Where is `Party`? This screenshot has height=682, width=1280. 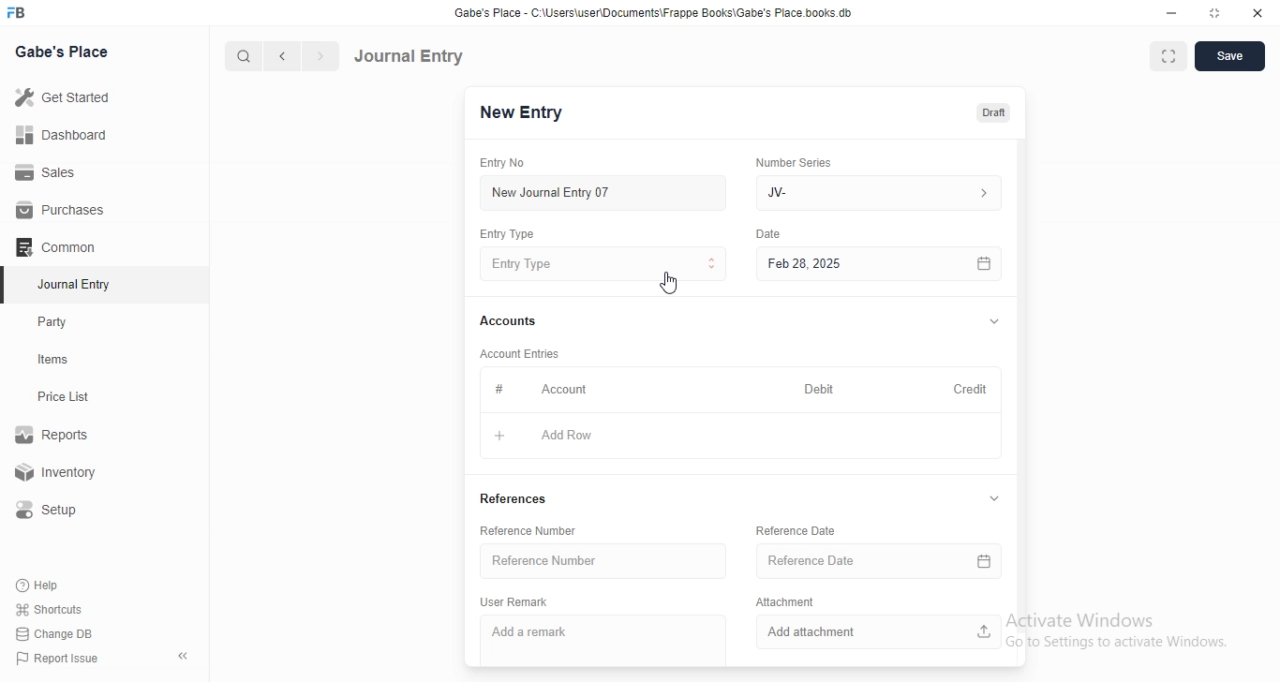
Party is located at coordinates (57, 322).